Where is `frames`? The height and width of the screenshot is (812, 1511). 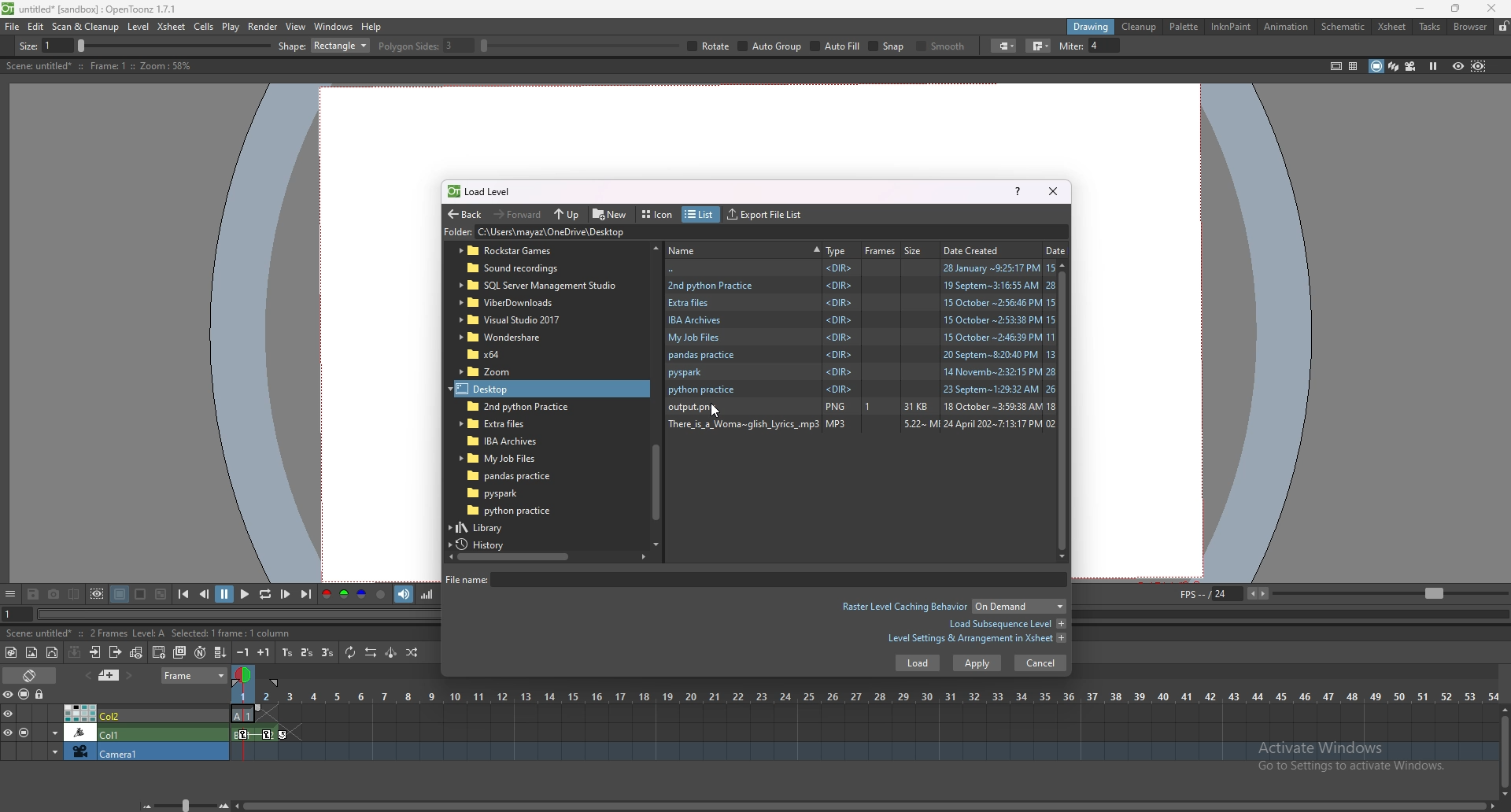
frames is located at coordinates (881, 250).